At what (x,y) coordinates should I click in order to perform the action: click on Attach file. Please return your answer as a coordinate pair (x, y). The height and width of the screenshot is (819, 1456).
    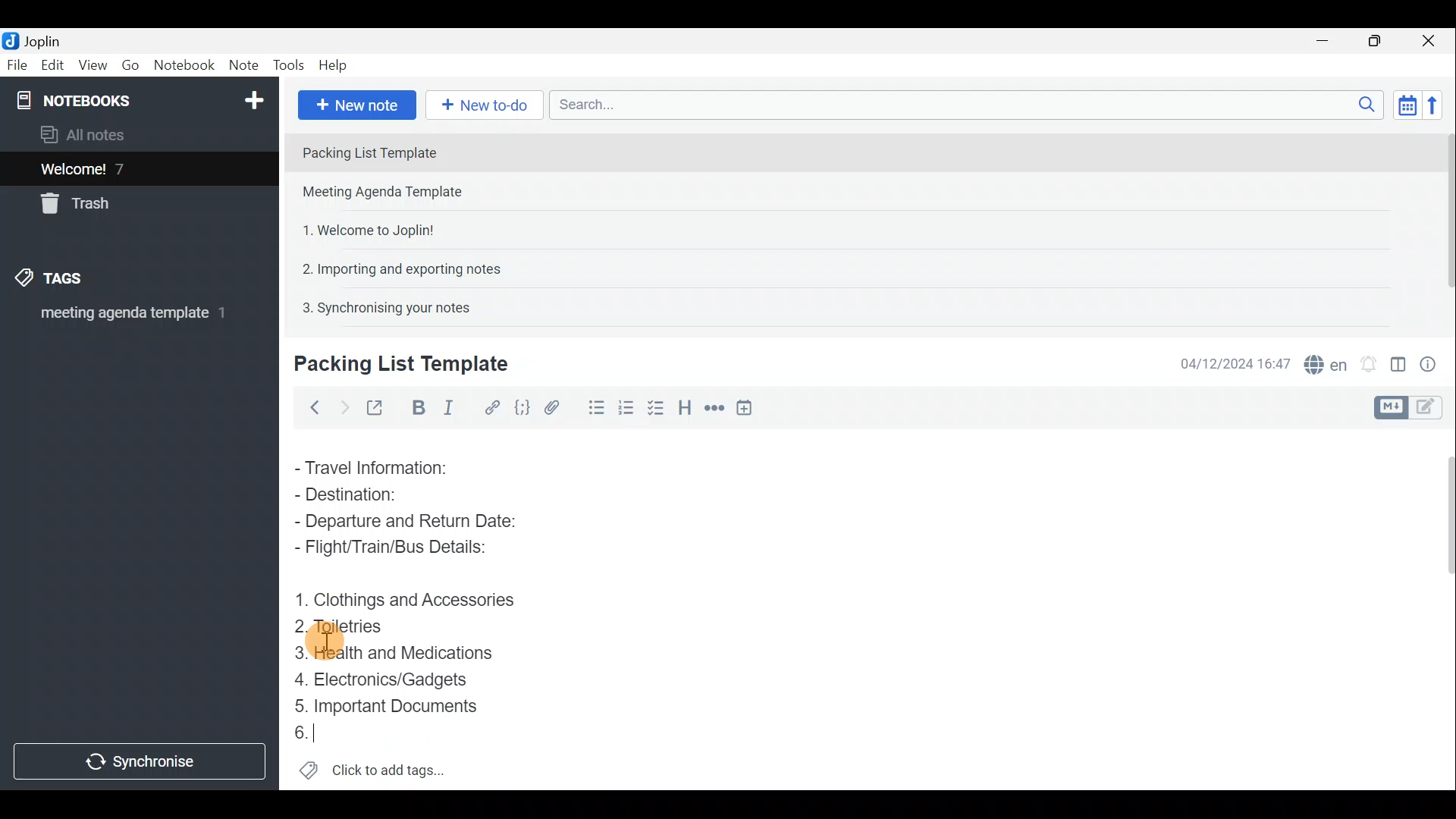
    Looking at the image, I should click on (552, 406).